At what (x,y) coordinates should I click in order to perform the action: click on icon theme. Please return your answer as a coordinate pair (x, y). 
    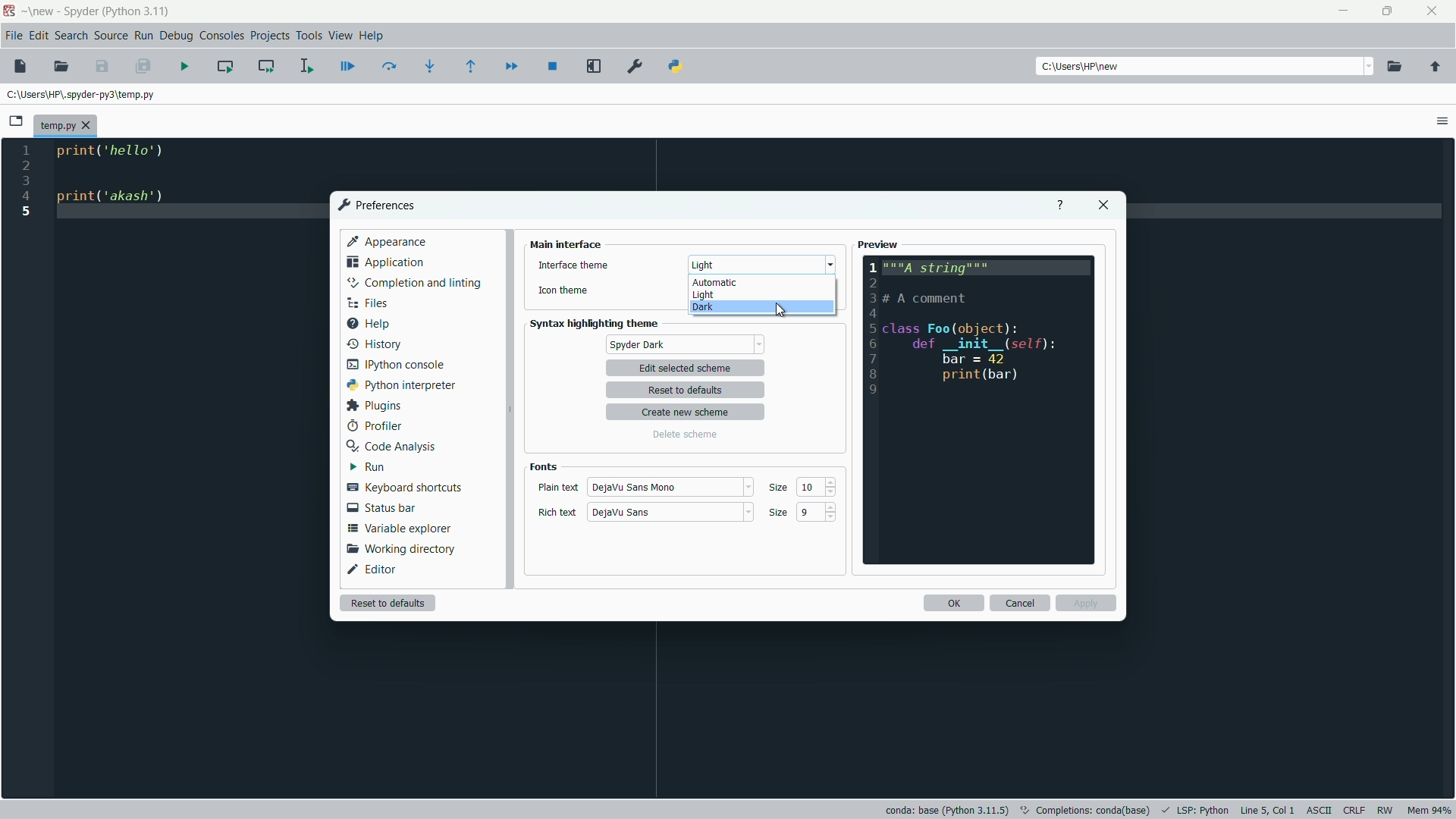
    Looking at the image, I should click on (563, 293).